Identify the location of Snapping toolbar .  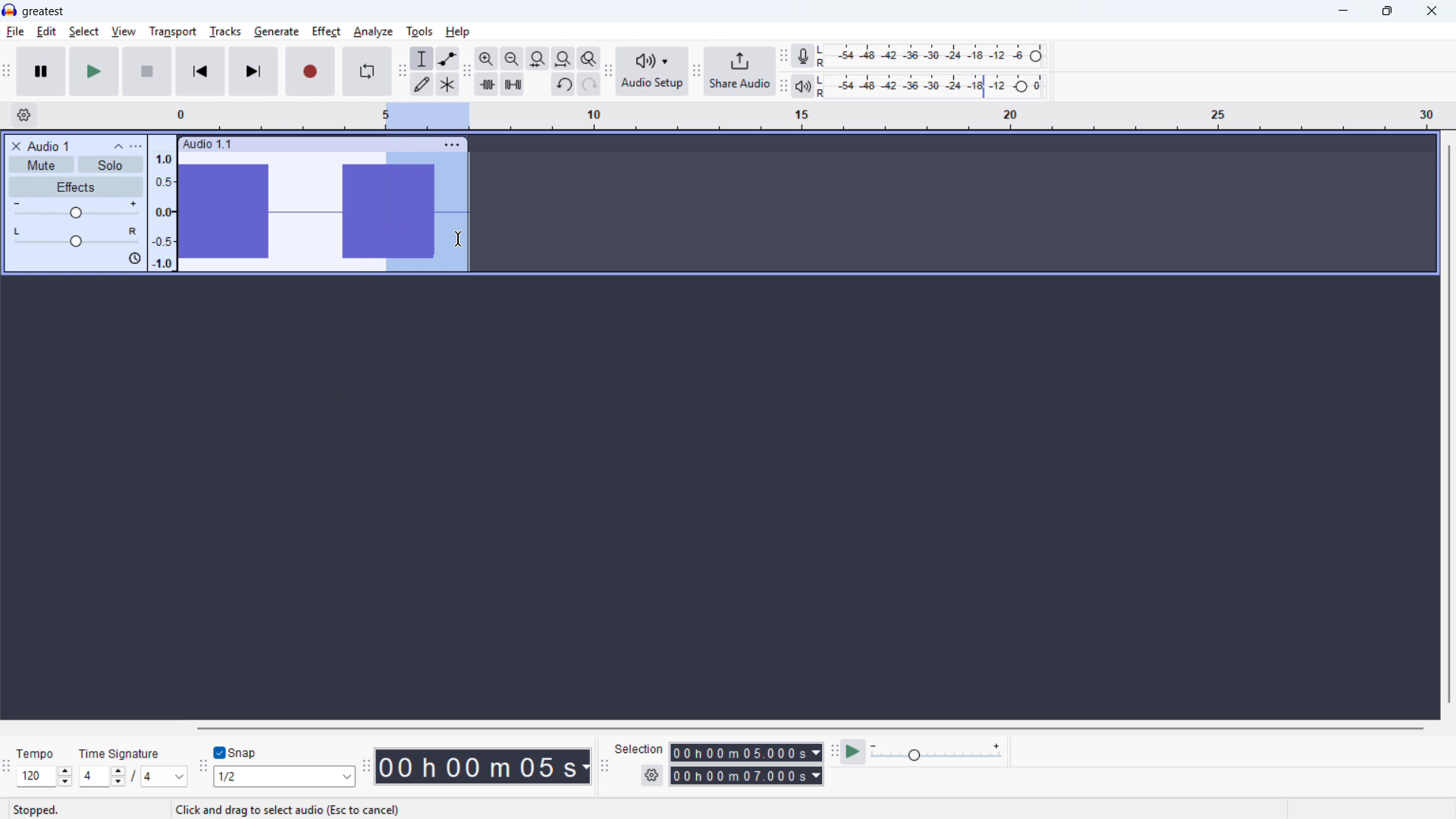
(204, 769).